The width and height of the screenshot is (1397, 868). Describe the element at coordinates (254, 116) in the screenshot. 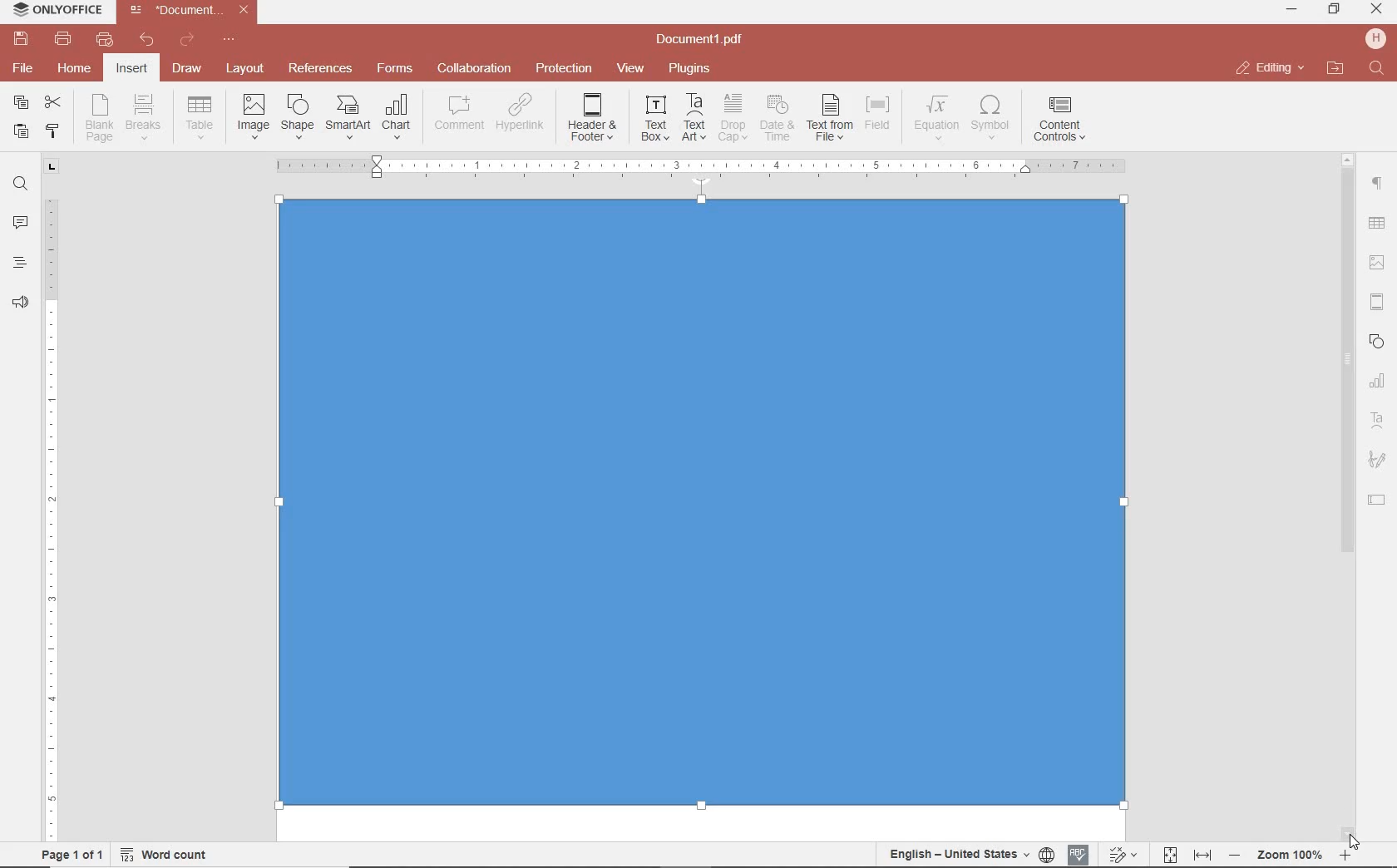

I see `INSERT IMAGES` at that location.